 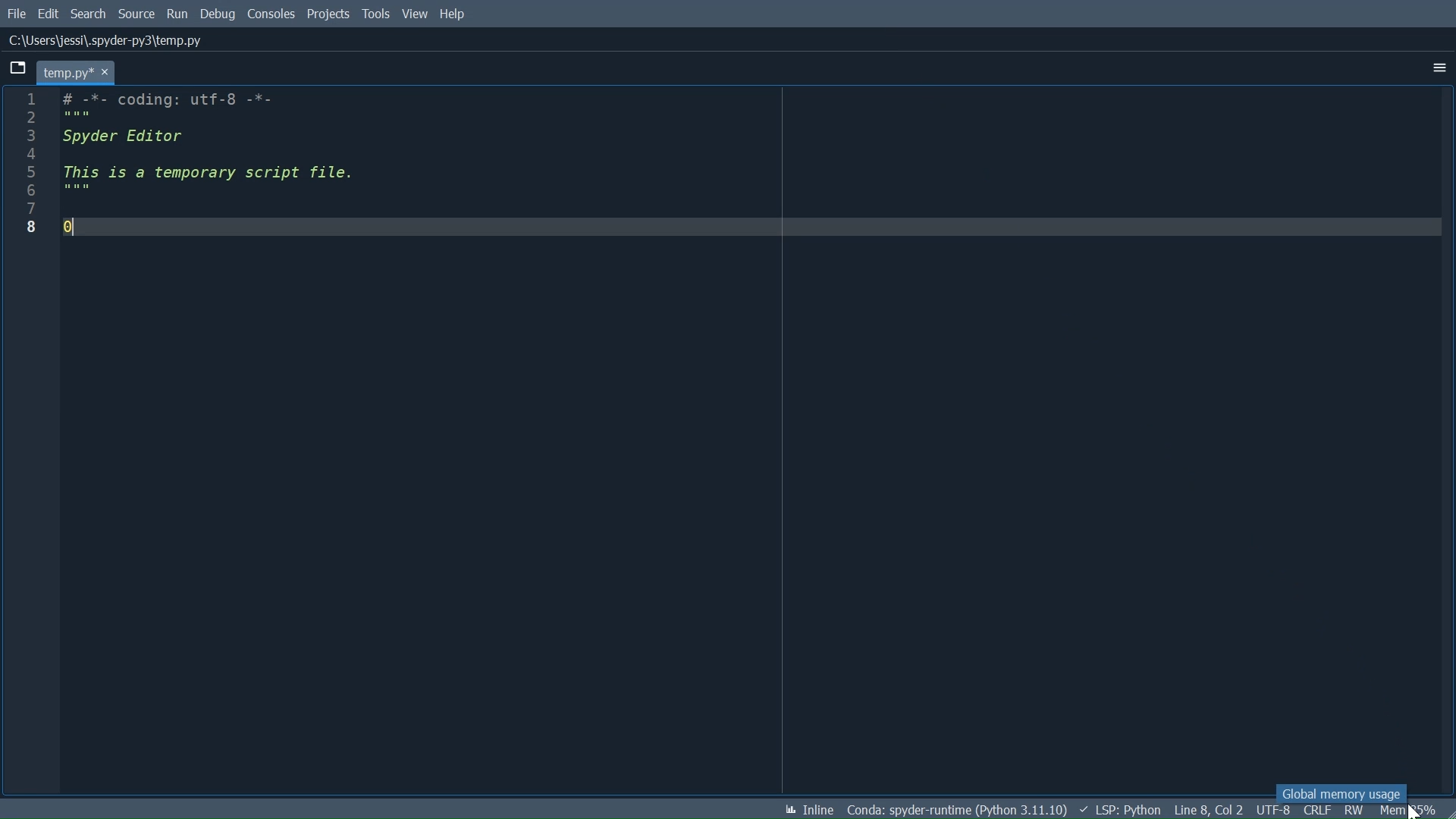 I want to click on temp.py, so click(x=77, y=73).